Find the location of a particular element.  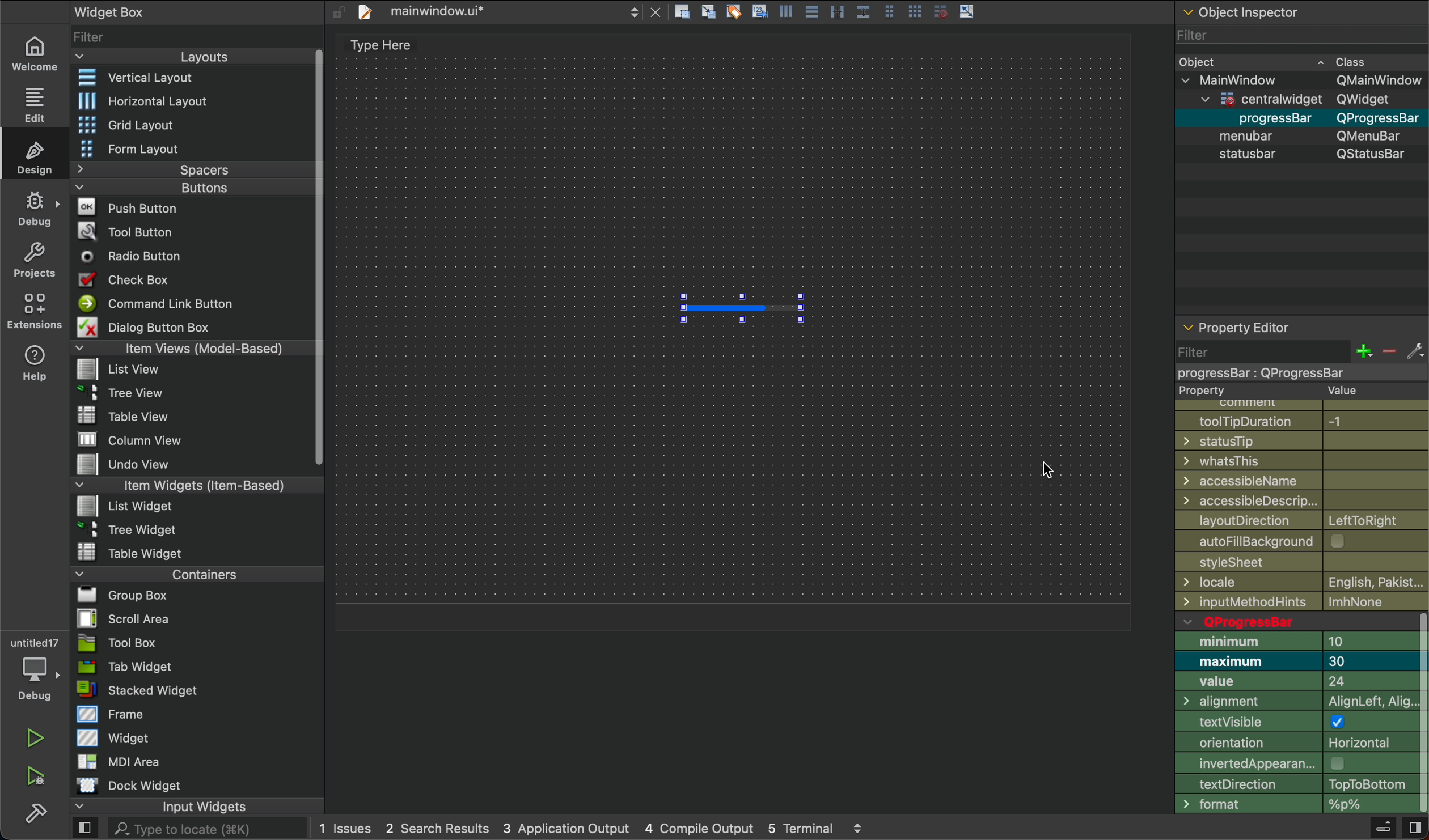

extension is located at coordinates (35, 310).